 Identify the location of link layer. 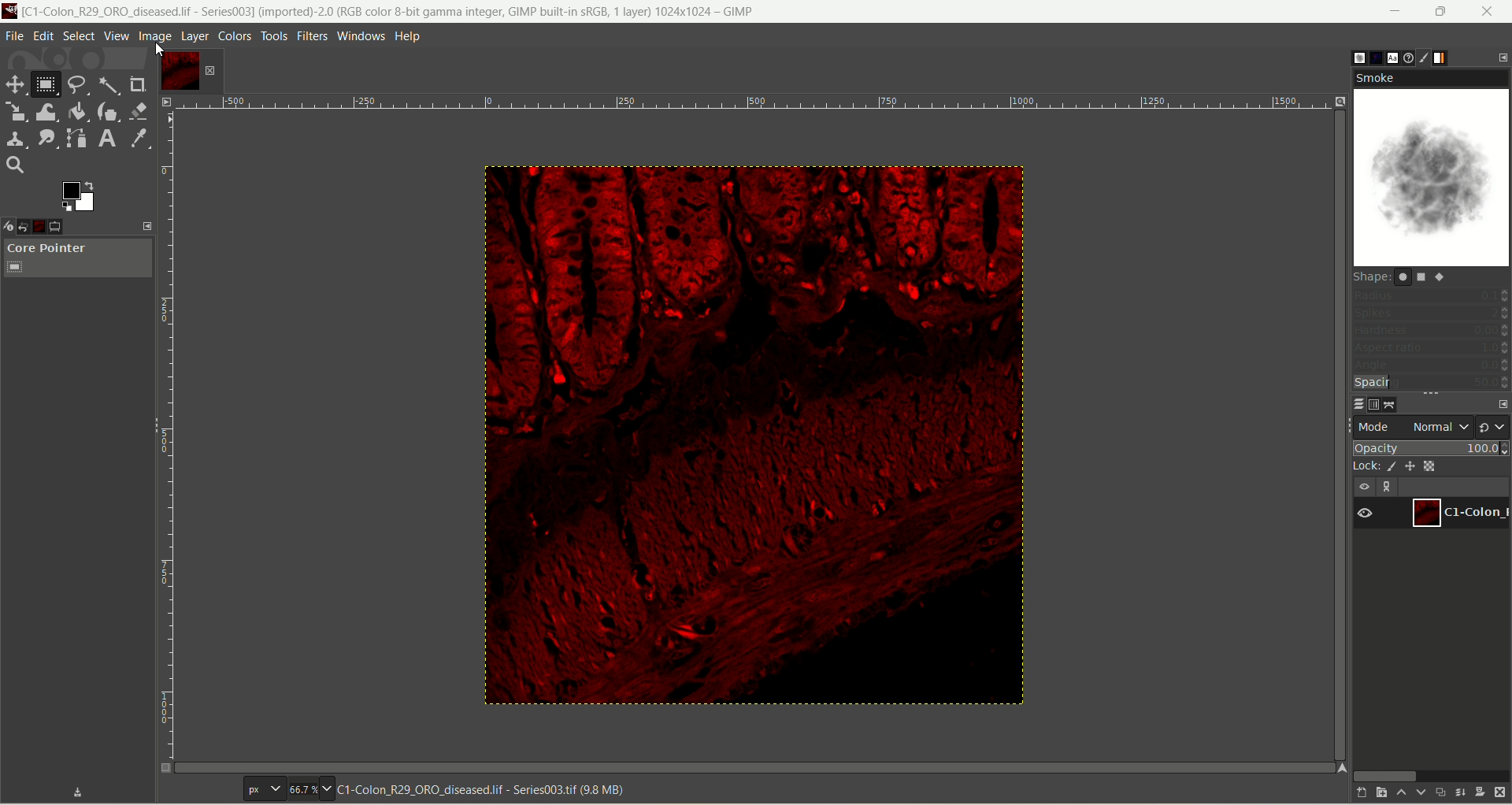
(1388, 488).